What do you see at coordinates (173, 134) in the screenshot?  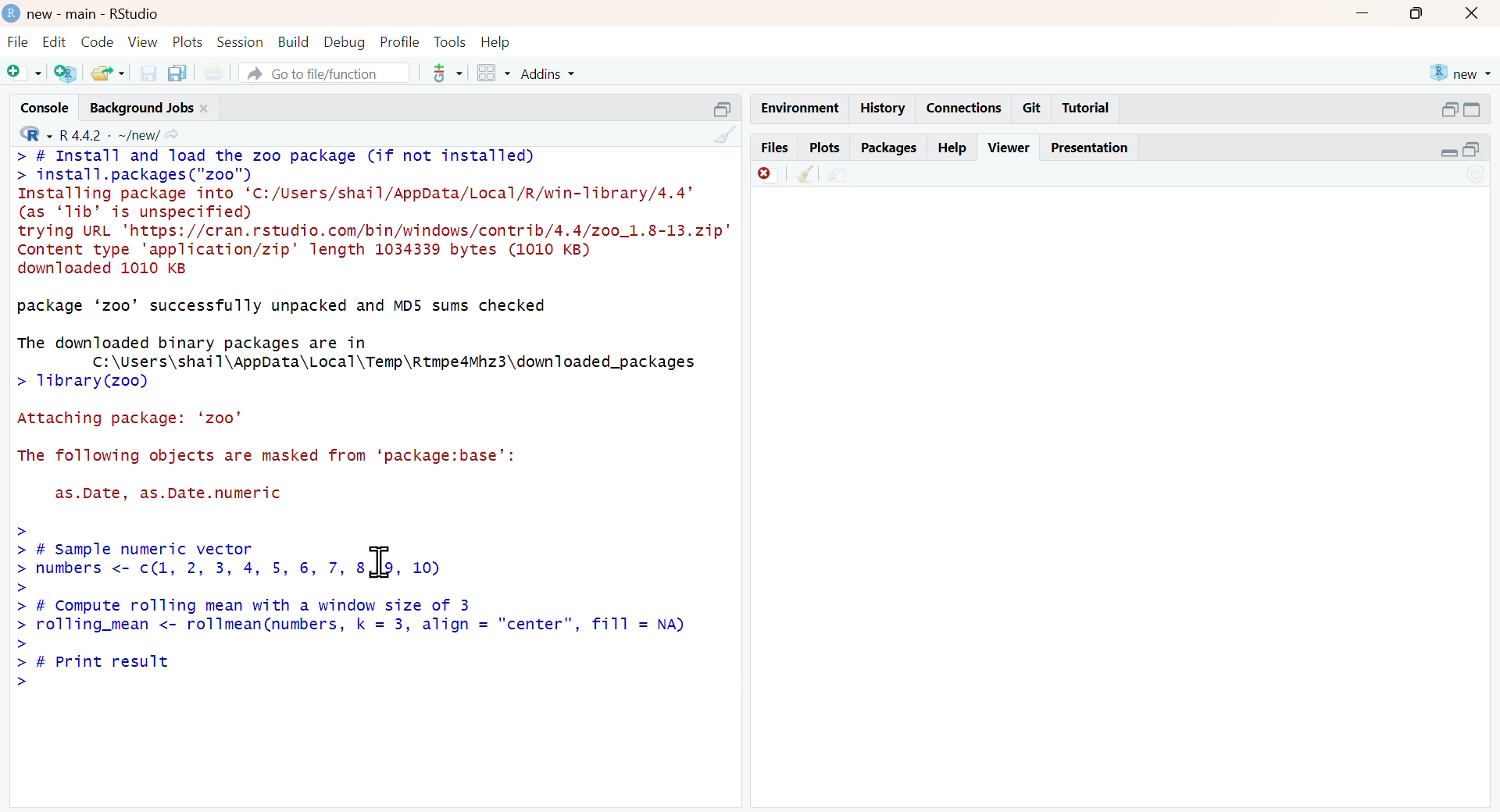 I see `share icon` at bounding box center [173, 134].